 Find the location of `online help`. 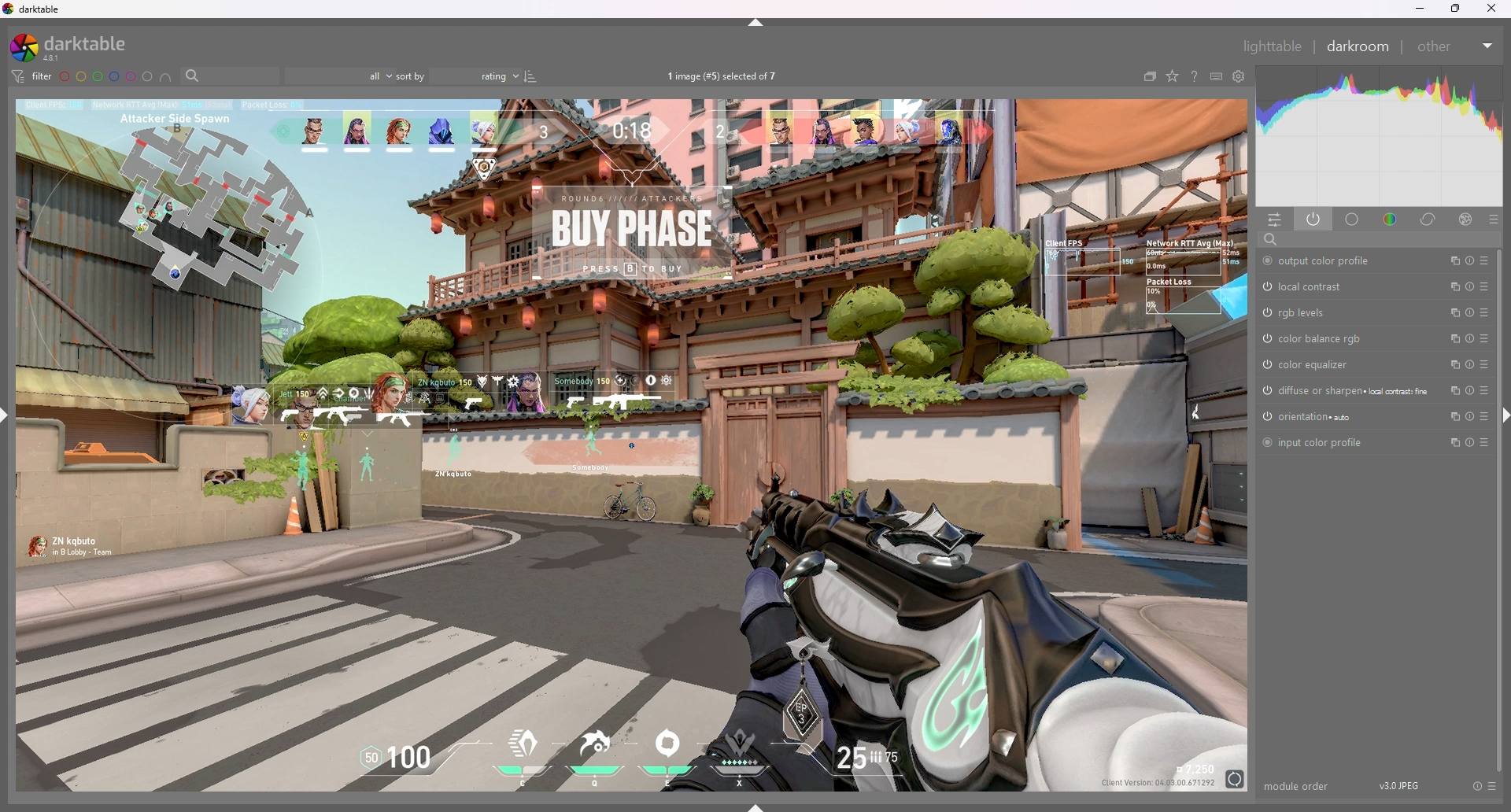

online help is located at coordinates (1194, 76).